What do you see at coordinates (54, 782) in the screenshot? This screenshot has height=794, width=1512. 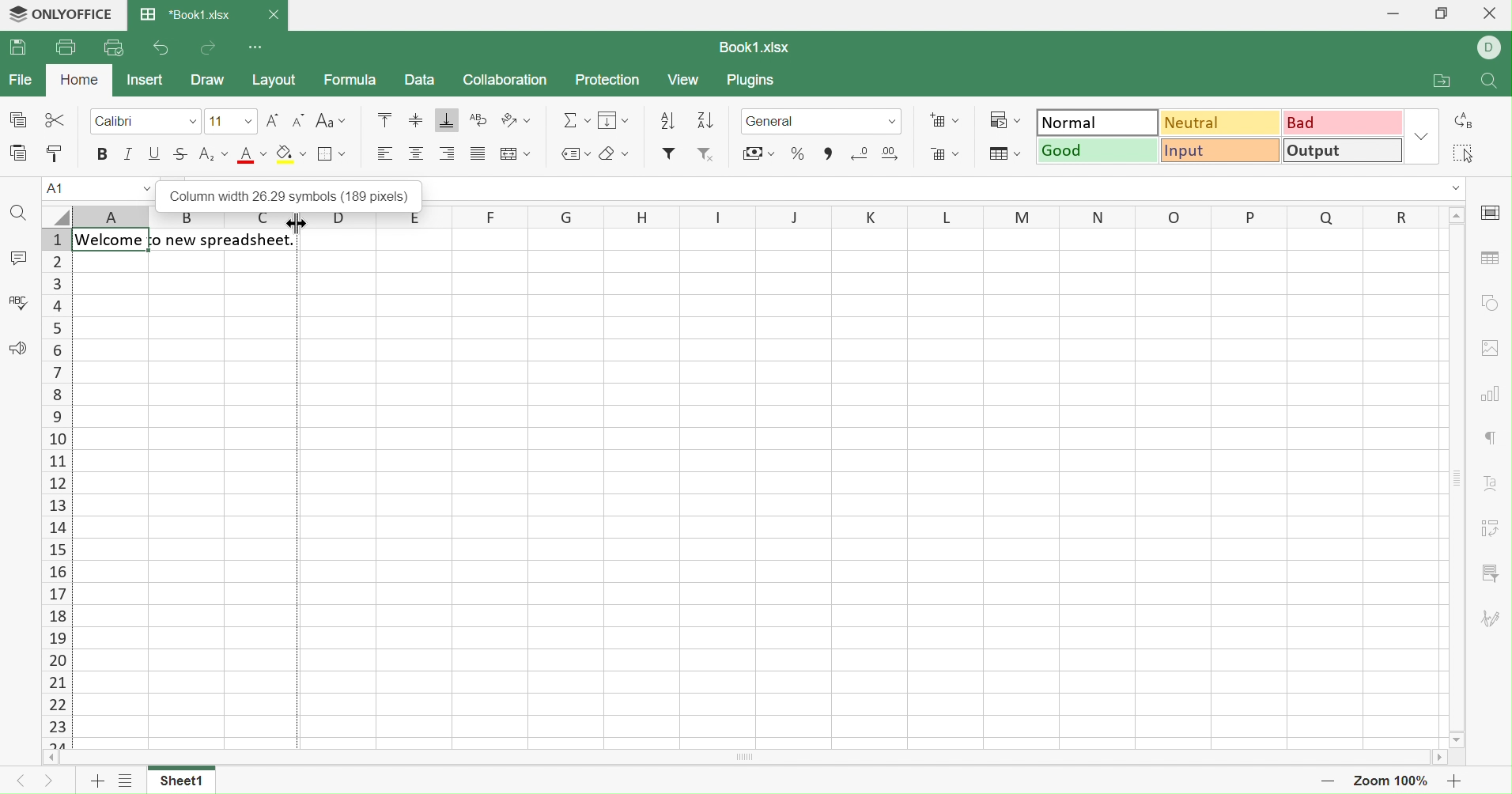 I see `Next` at bounding box center [54, 782].